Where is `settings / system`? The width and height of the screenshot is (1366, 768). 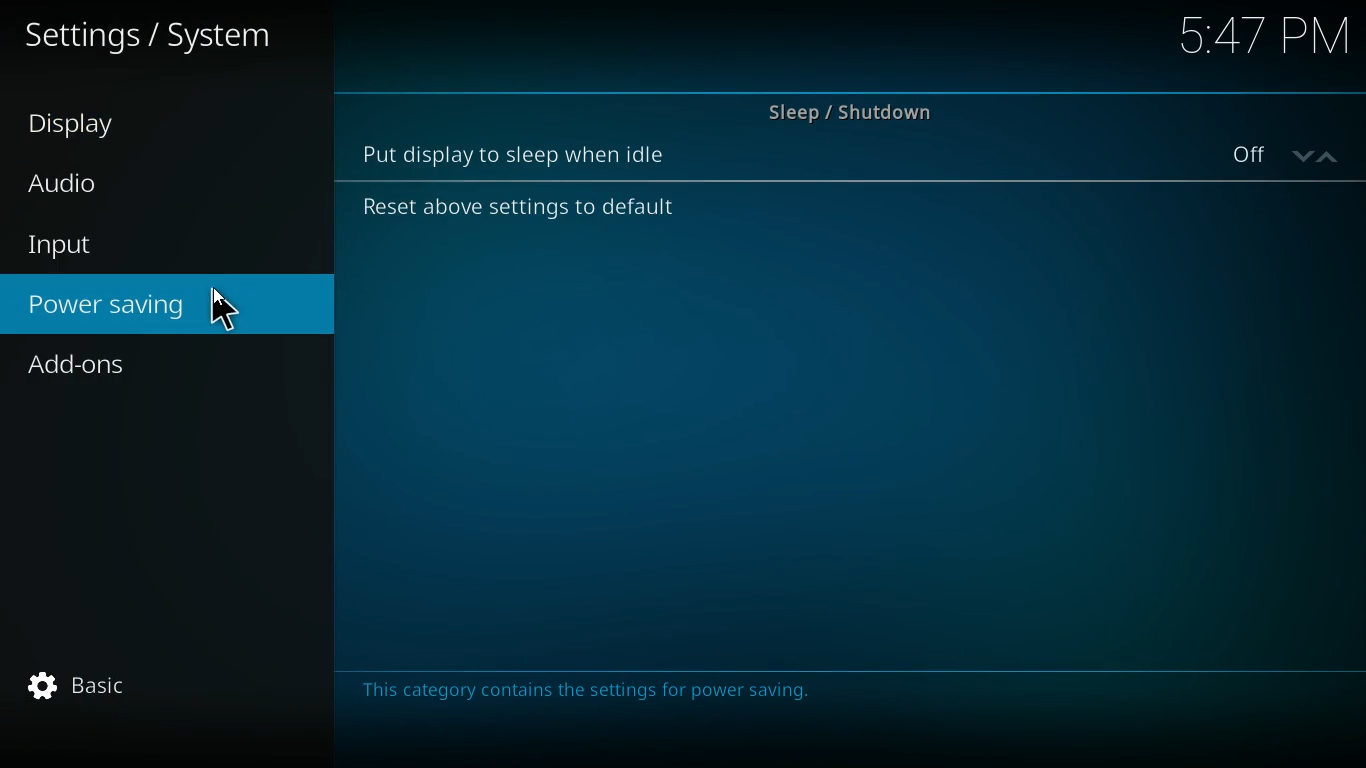
settings / system is located at coordinates (159, 41).